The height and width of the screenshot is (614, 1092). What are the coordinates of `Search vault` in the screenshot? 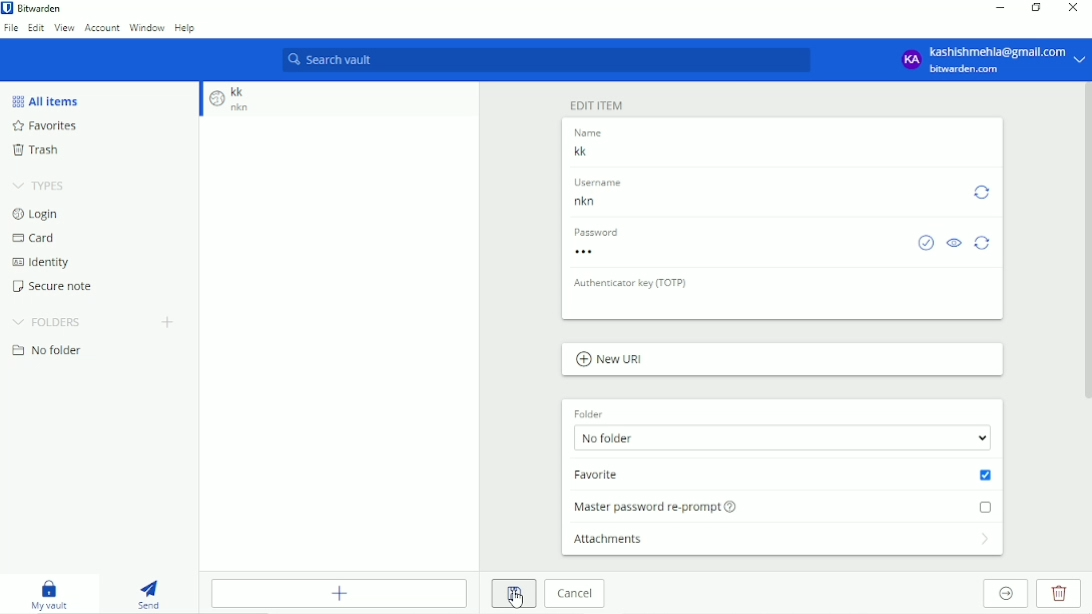 It's located at (544, 60).